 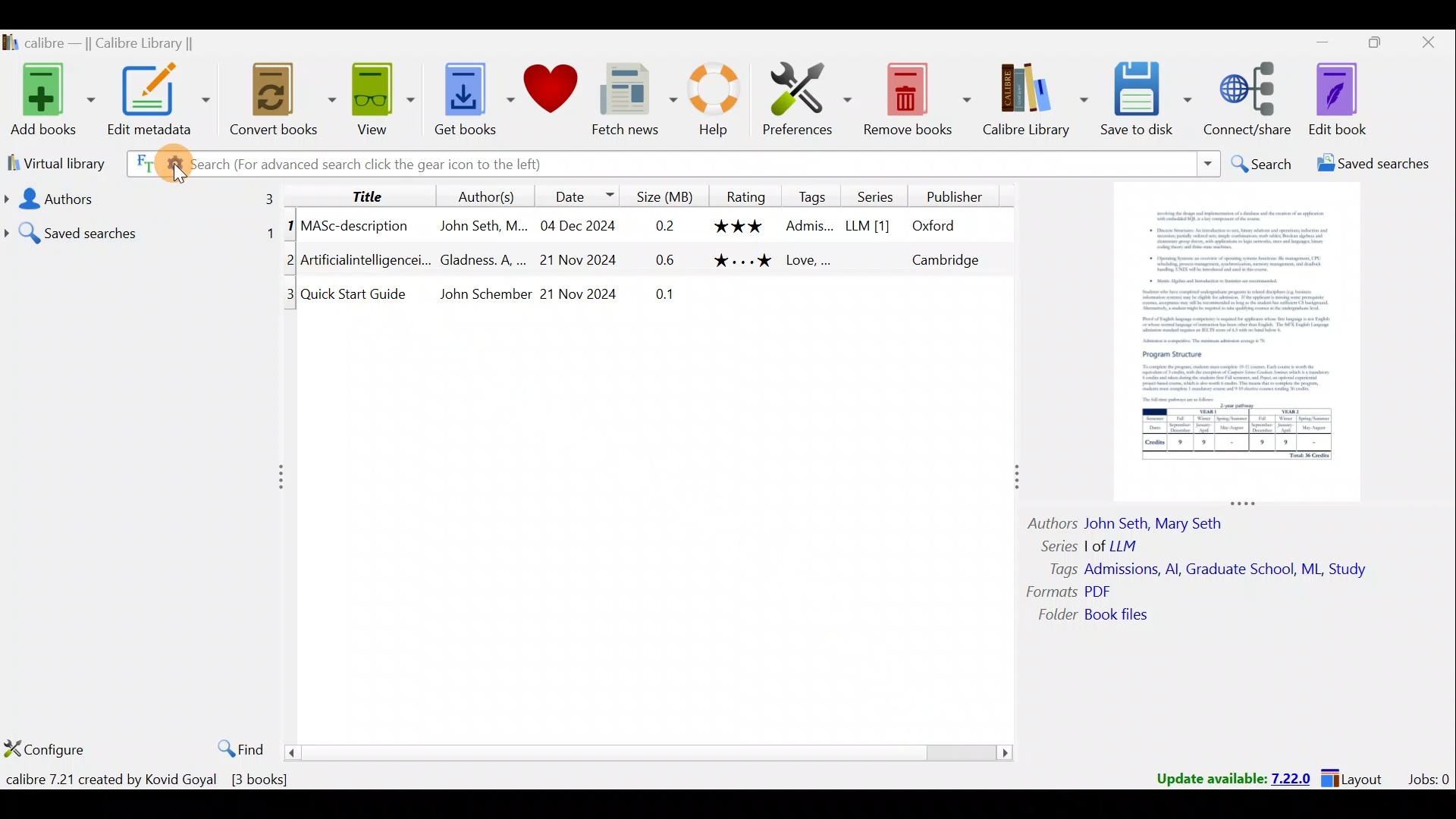 What do you see at coordinates (1426, 45) in the screenshot?
I see `Close` at bounding box center [1426, 45].